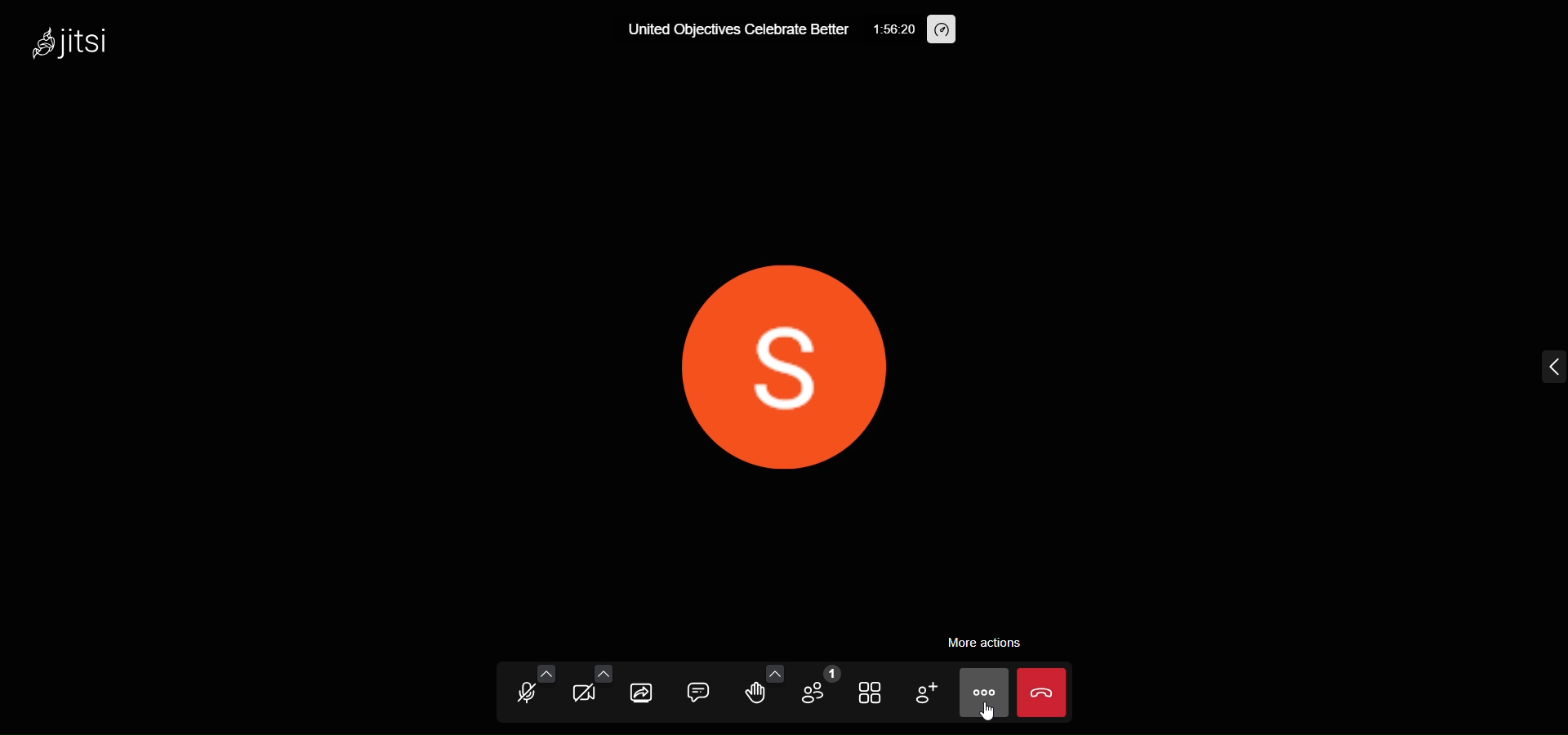  I want to click on invite people, so click(925, 694).